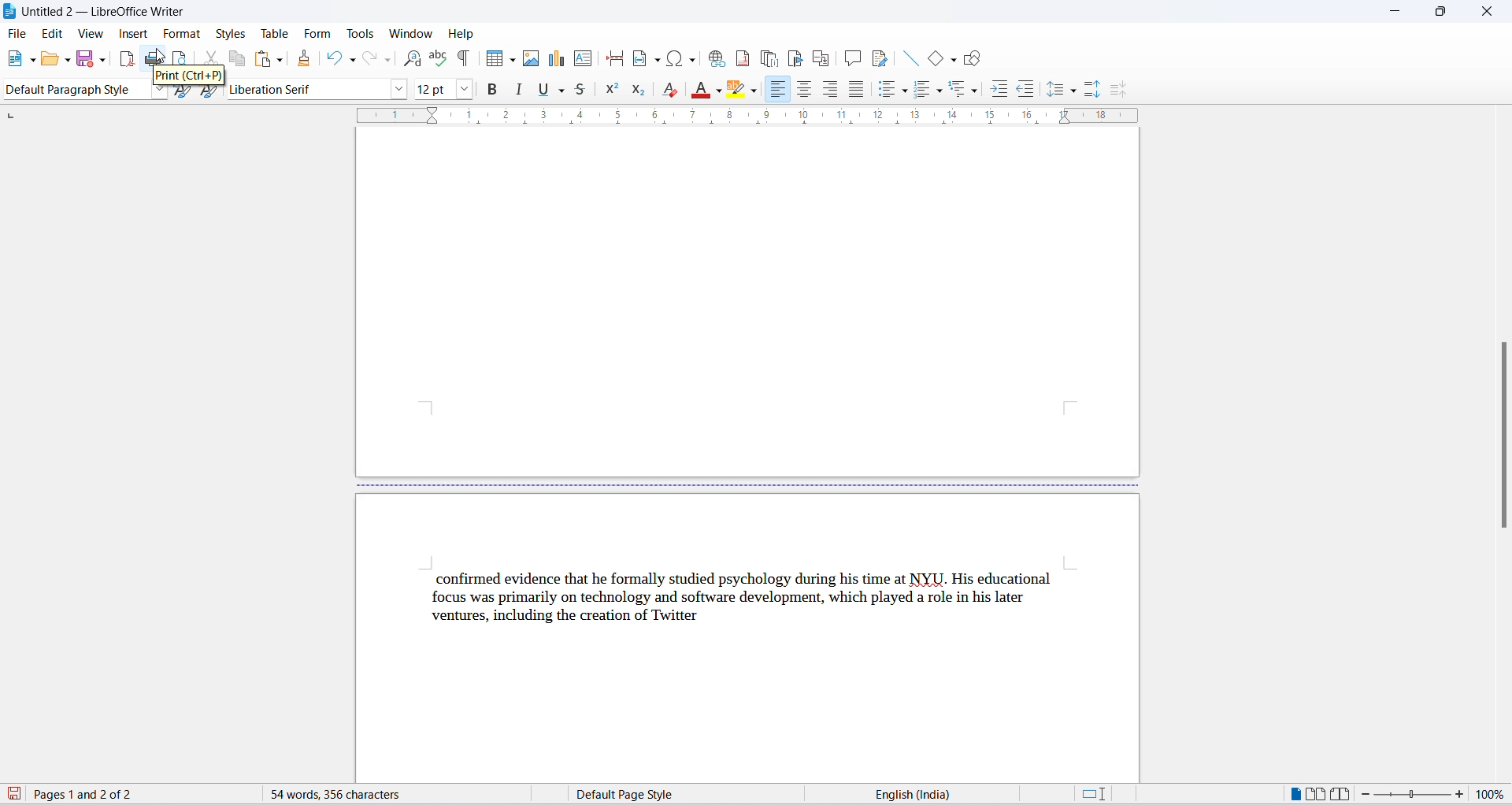 This screenshot has width=1512, height=805. I want to click on toggle print preview, so click(182, 61).